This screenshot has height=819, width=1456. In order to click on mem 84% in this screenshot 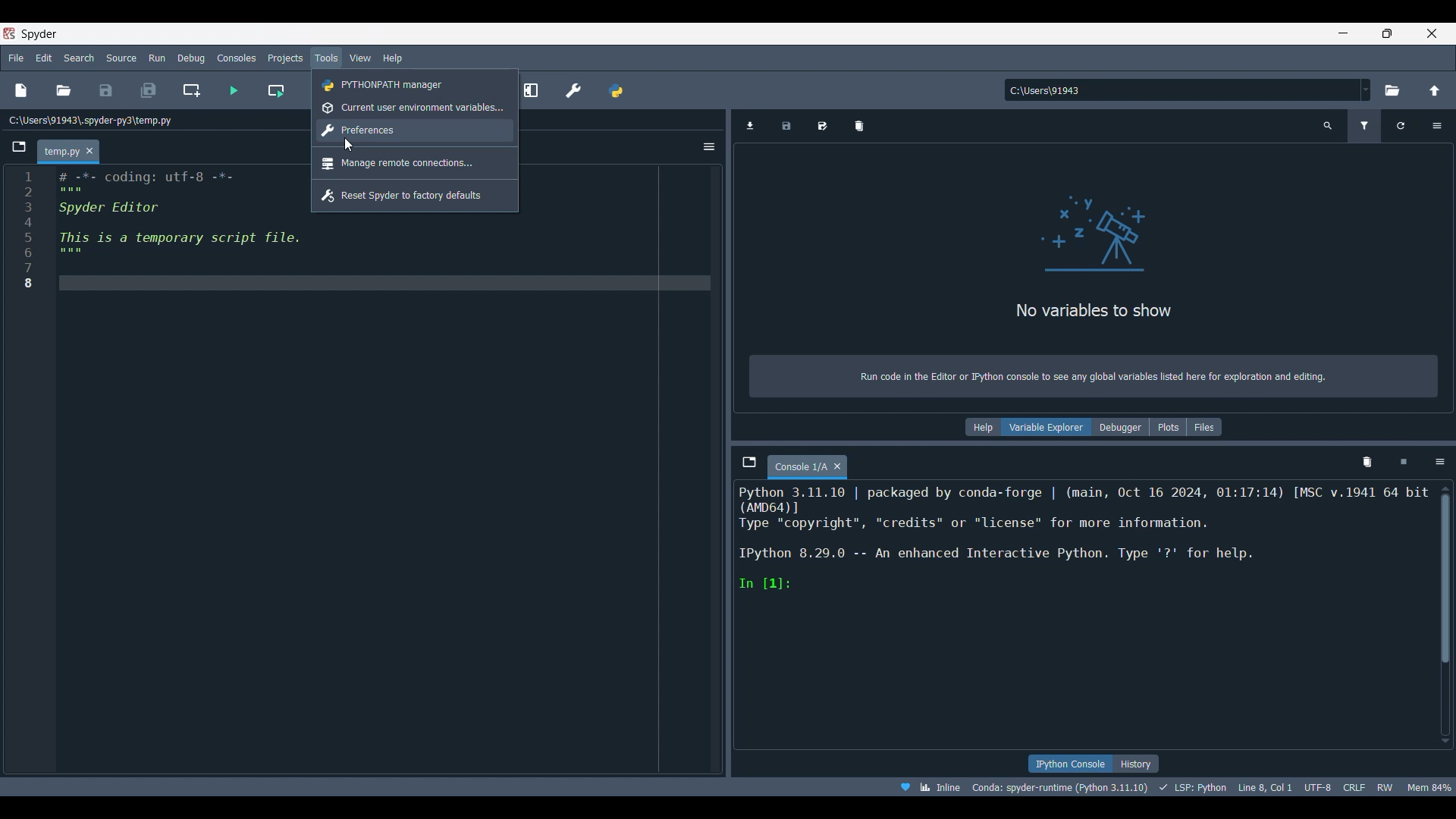, I will do `click(1430, 787)`.